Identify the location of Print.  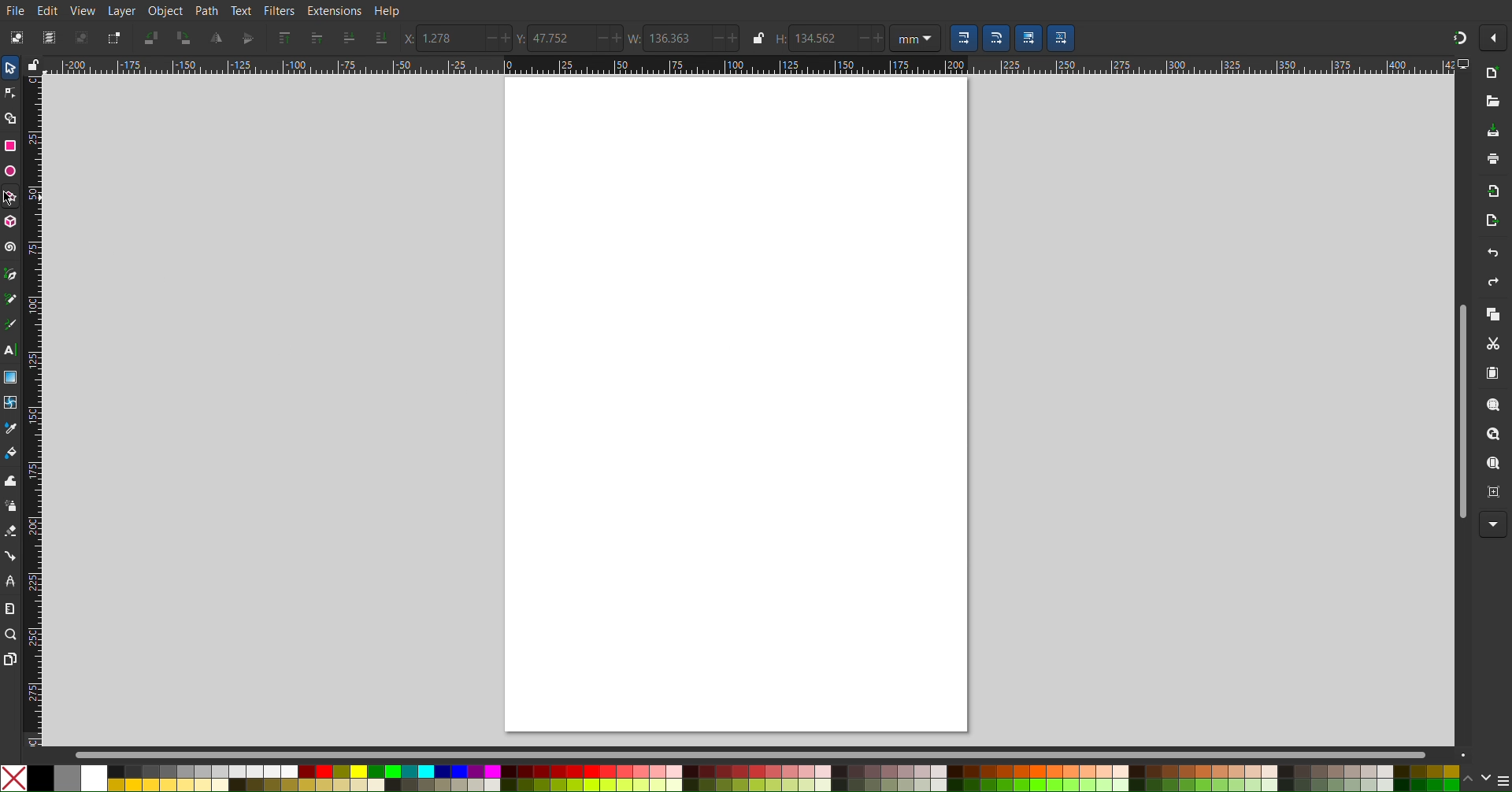
(1494, 160).